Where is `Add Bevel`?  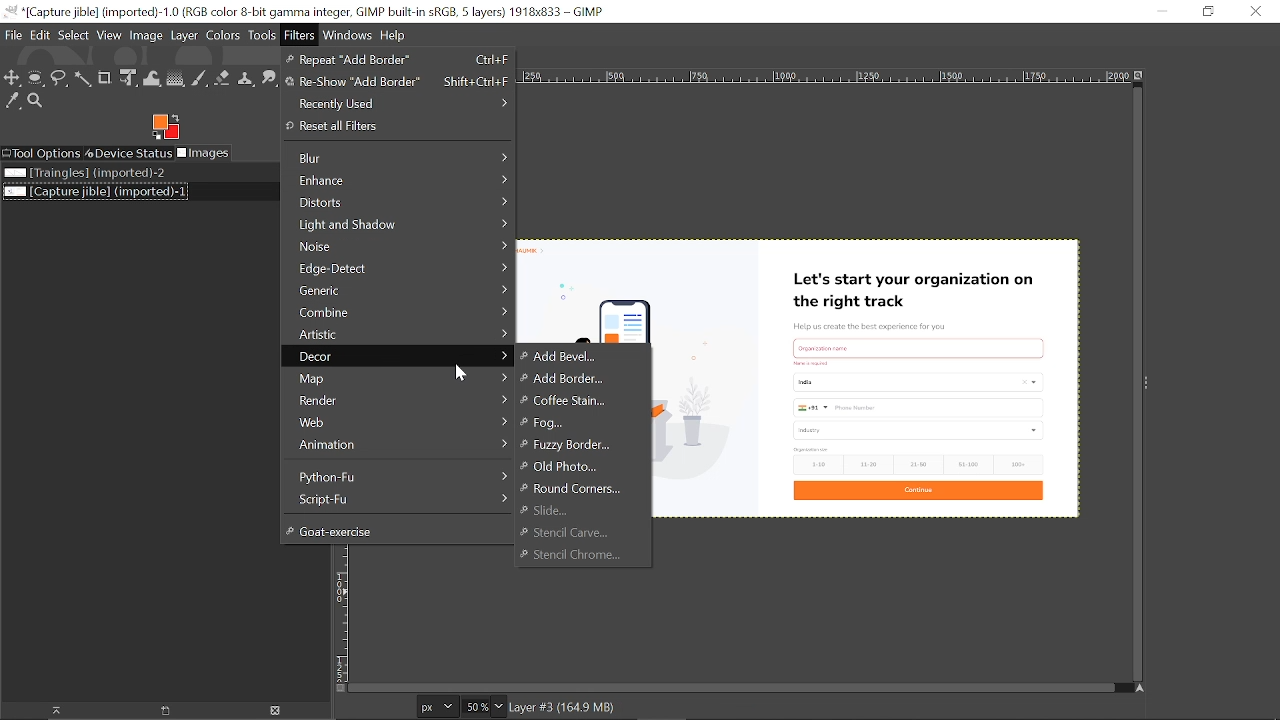 Add Bevel is located at coordinates (575, 356).